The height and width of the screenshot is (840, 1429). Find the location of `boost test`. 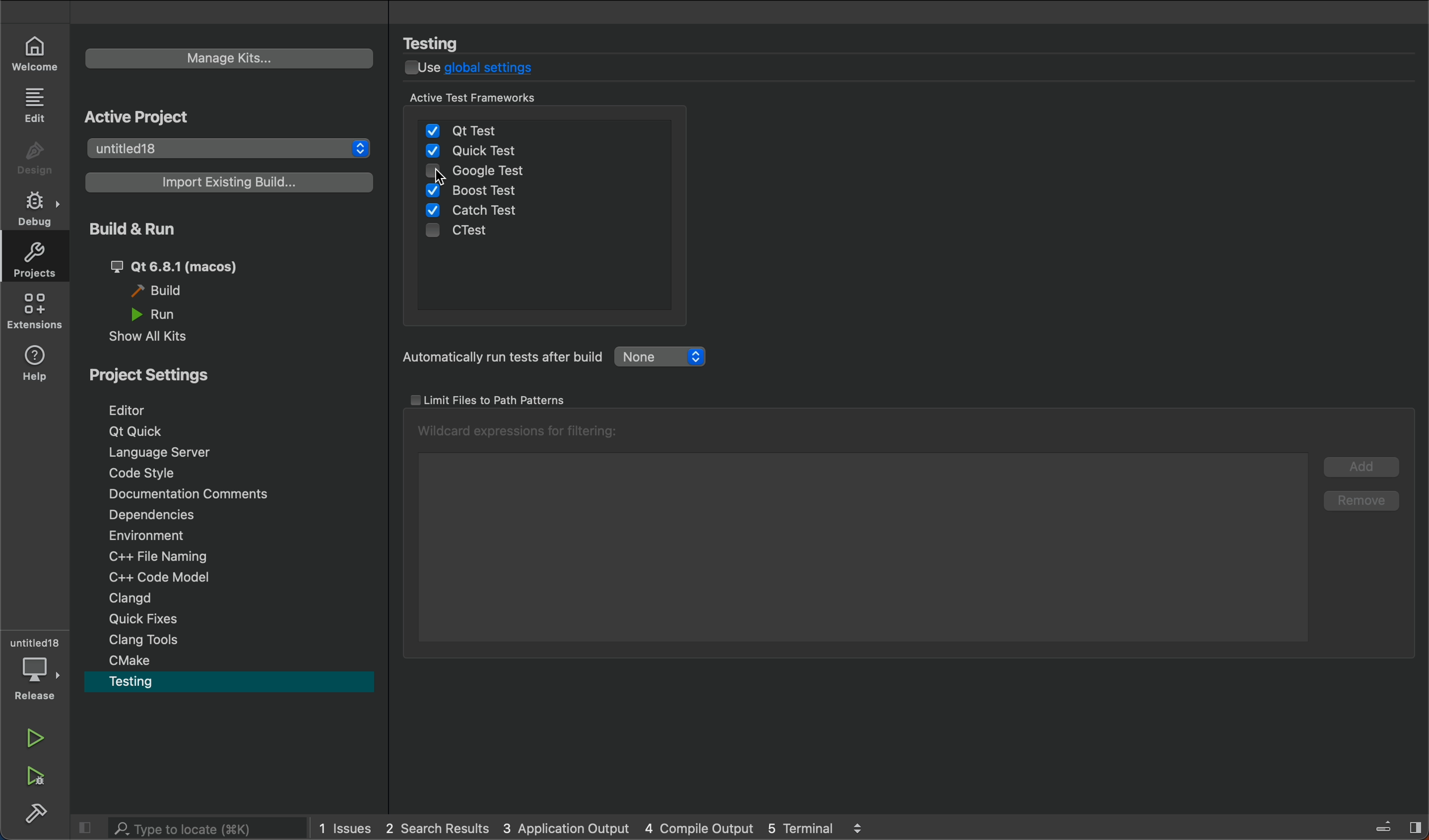

boost test is located at coordinates (473, 192).